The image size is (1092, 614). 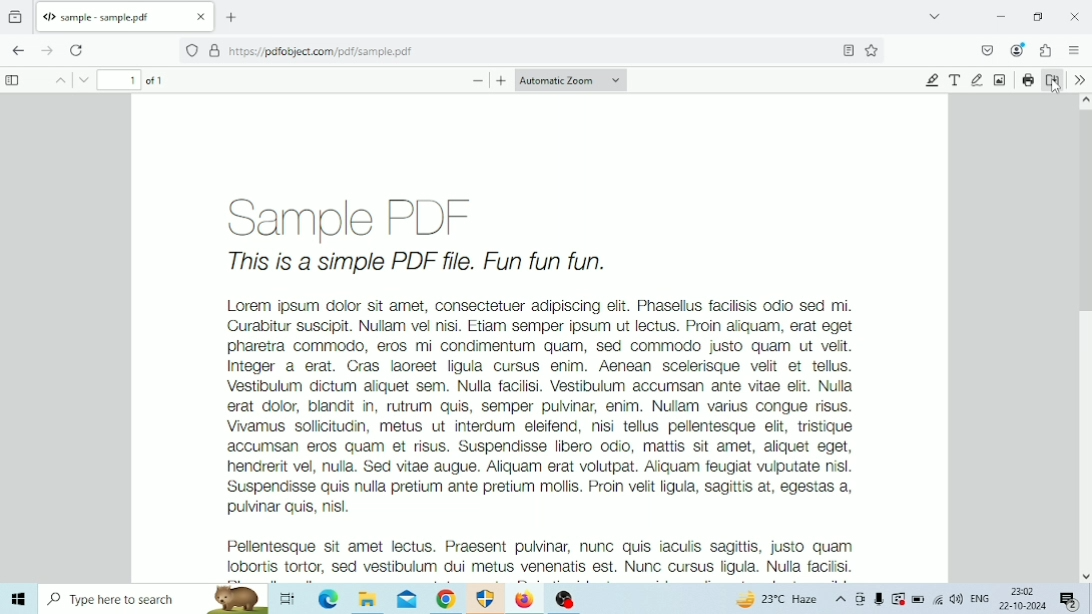 What do you see at coordinates (898, 599) in the screenshot?
I see `Warning` at bounding box center [898, 599].